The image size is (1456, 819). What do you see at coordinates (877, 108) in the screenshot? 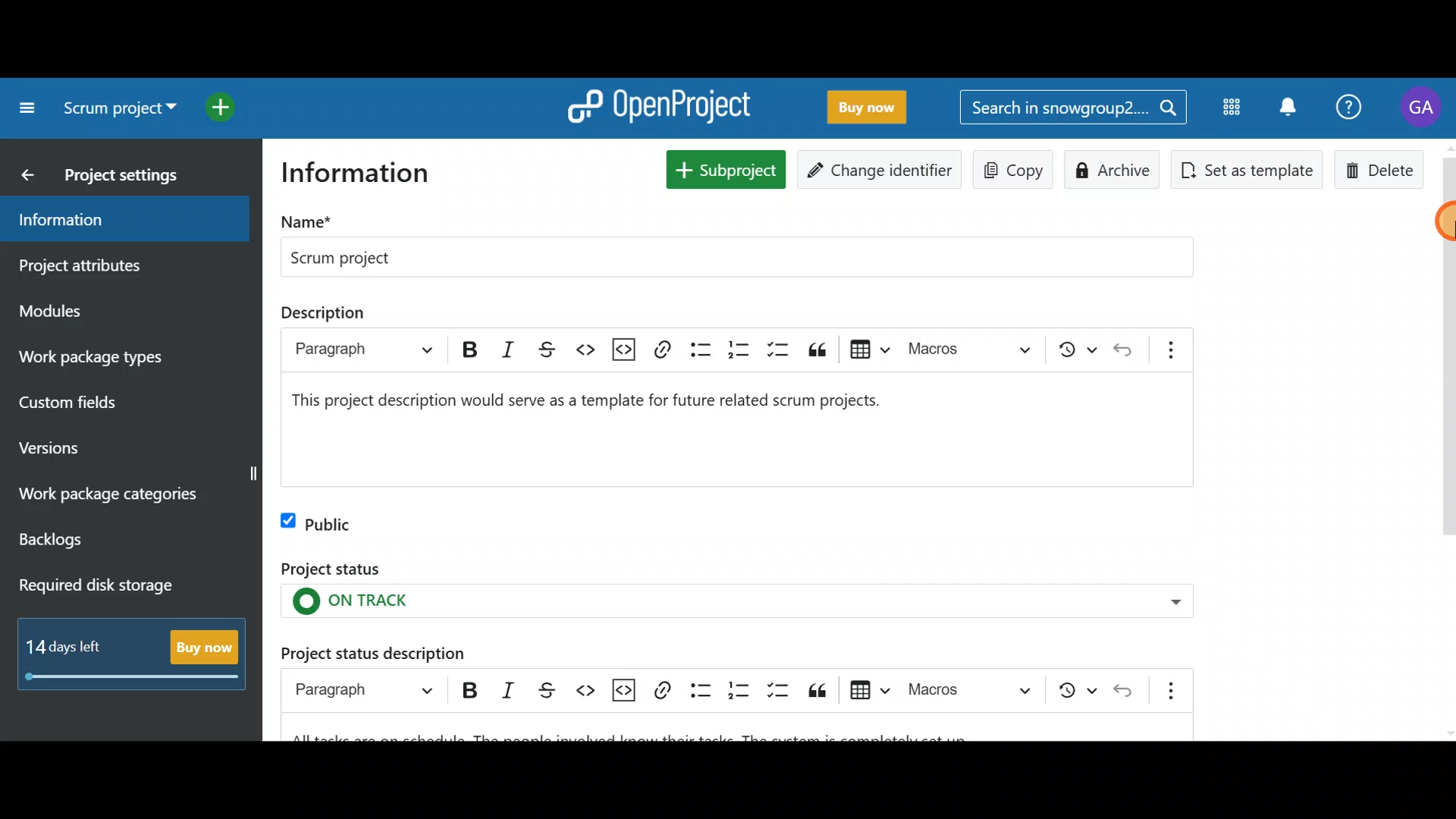
I see `Buy now` at bounding box center [877, 108].